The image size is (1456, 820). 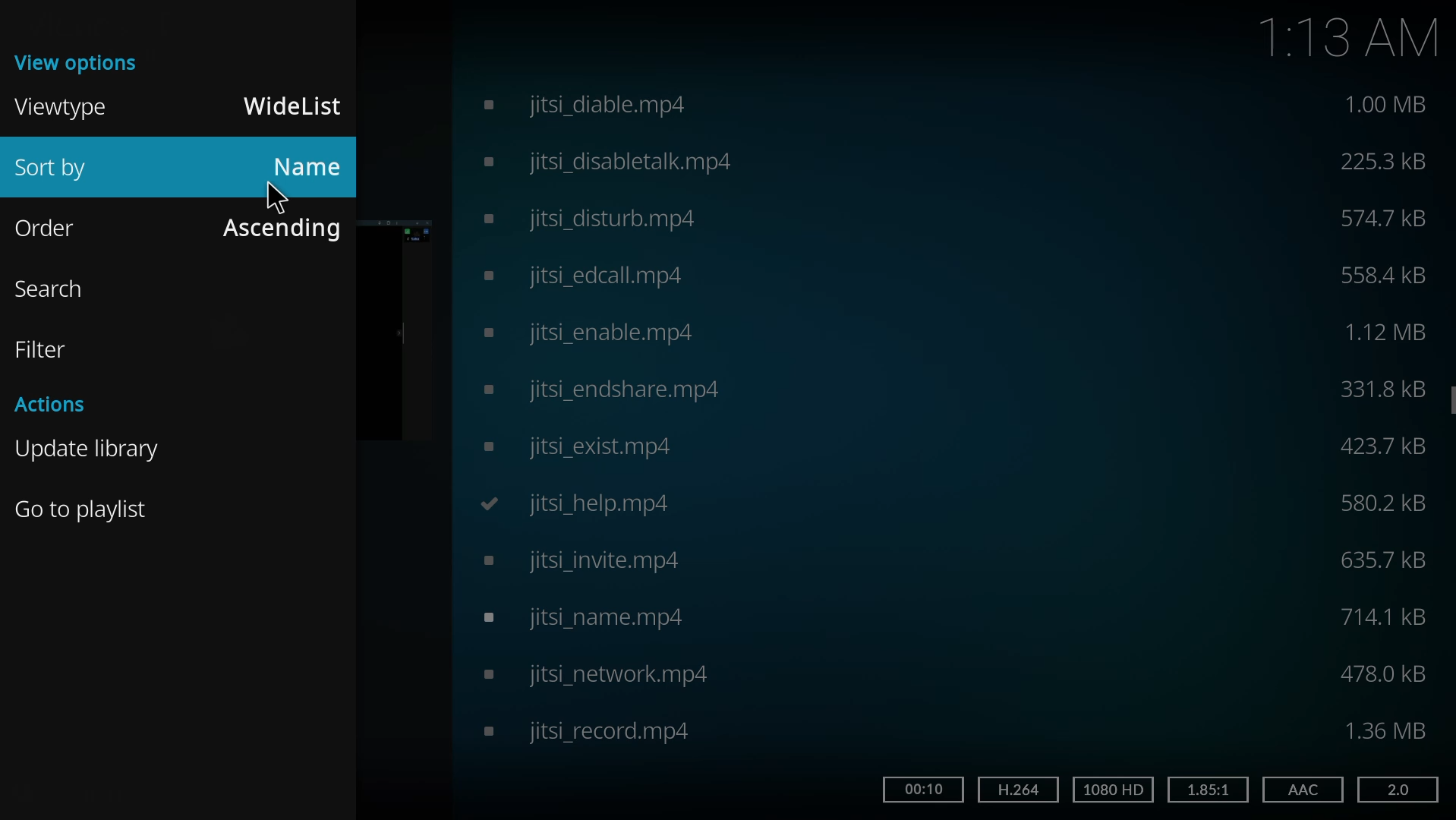 What do you see at coordinates (589, 276) in the screenshot?
I see `video` at bounding box center [589, 276].